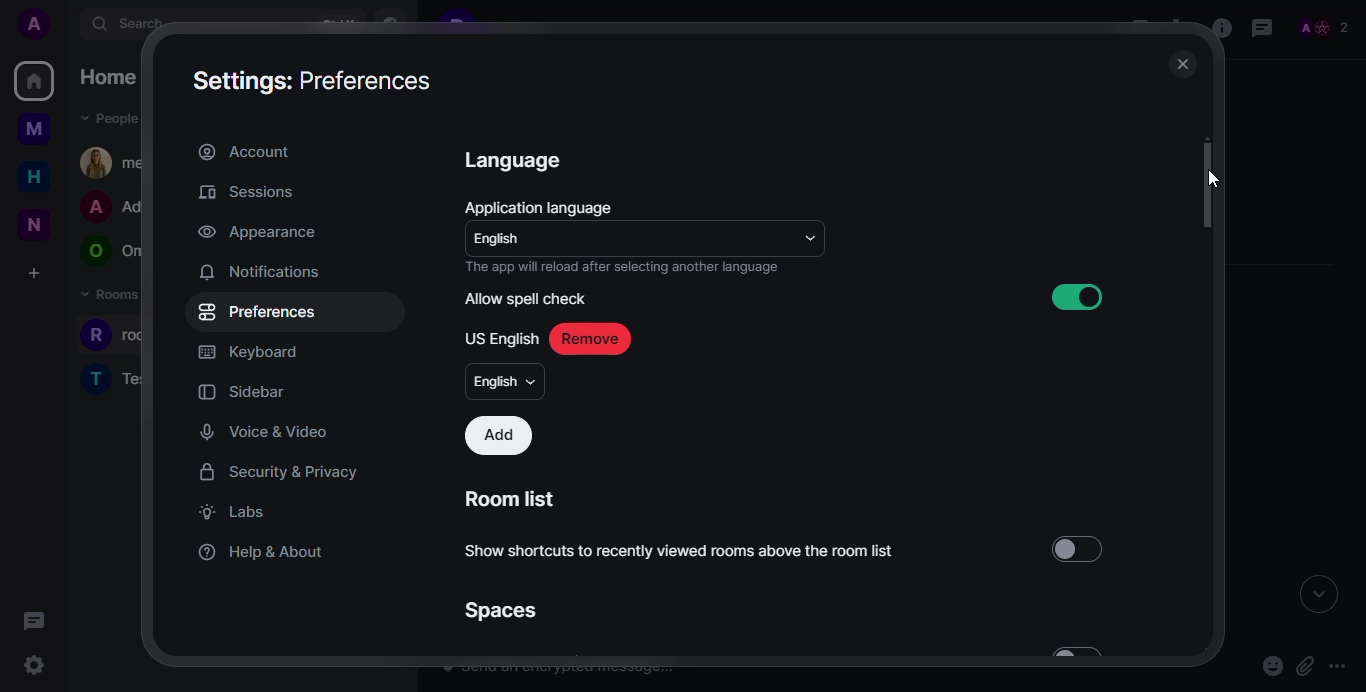  I want to click on add, so click(499, 436).